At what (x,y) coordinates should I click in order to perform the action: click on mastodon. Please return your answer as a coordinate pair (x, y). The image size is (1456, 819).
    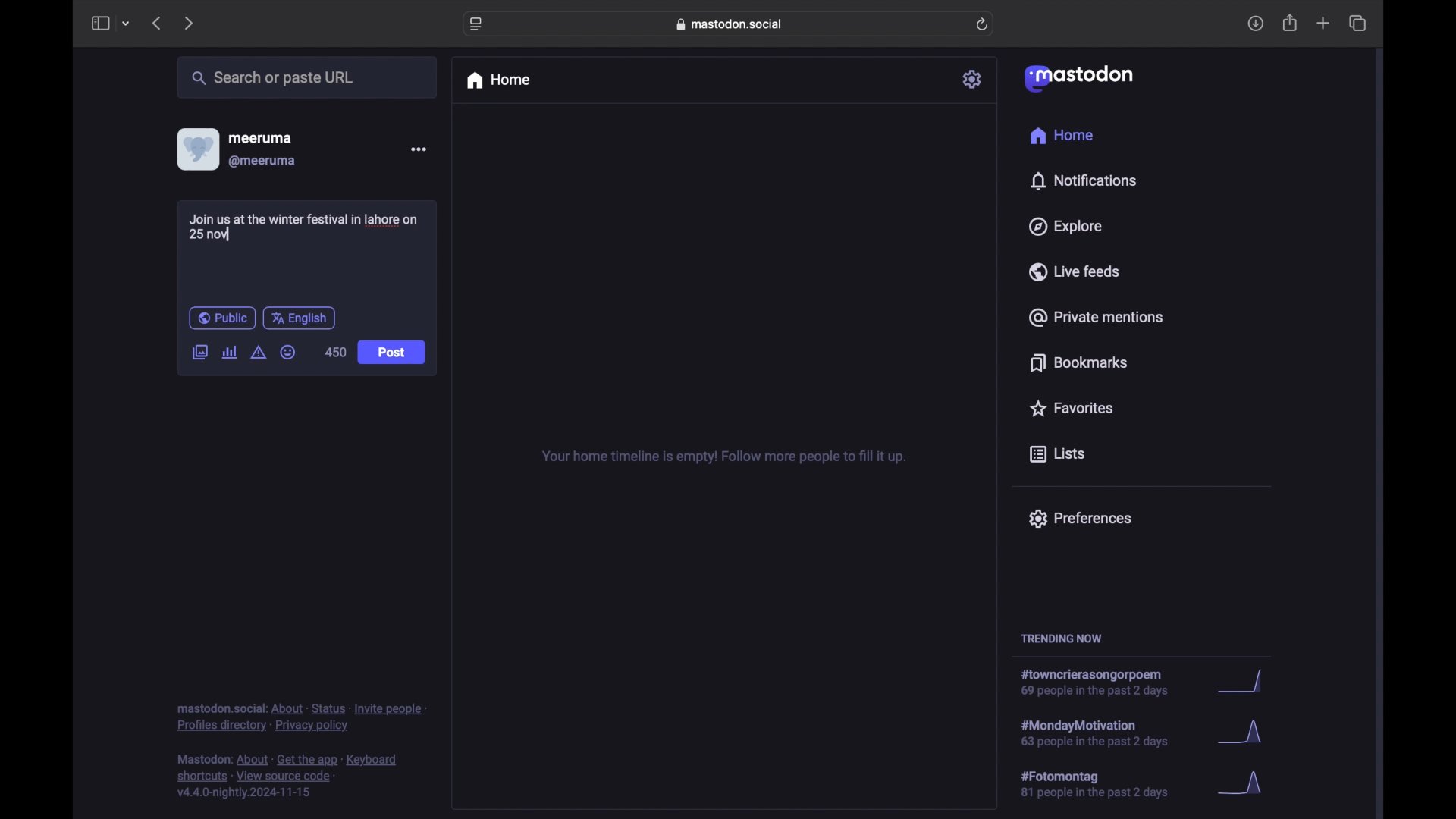
    Looking at the image, I should click on (1077, 77).